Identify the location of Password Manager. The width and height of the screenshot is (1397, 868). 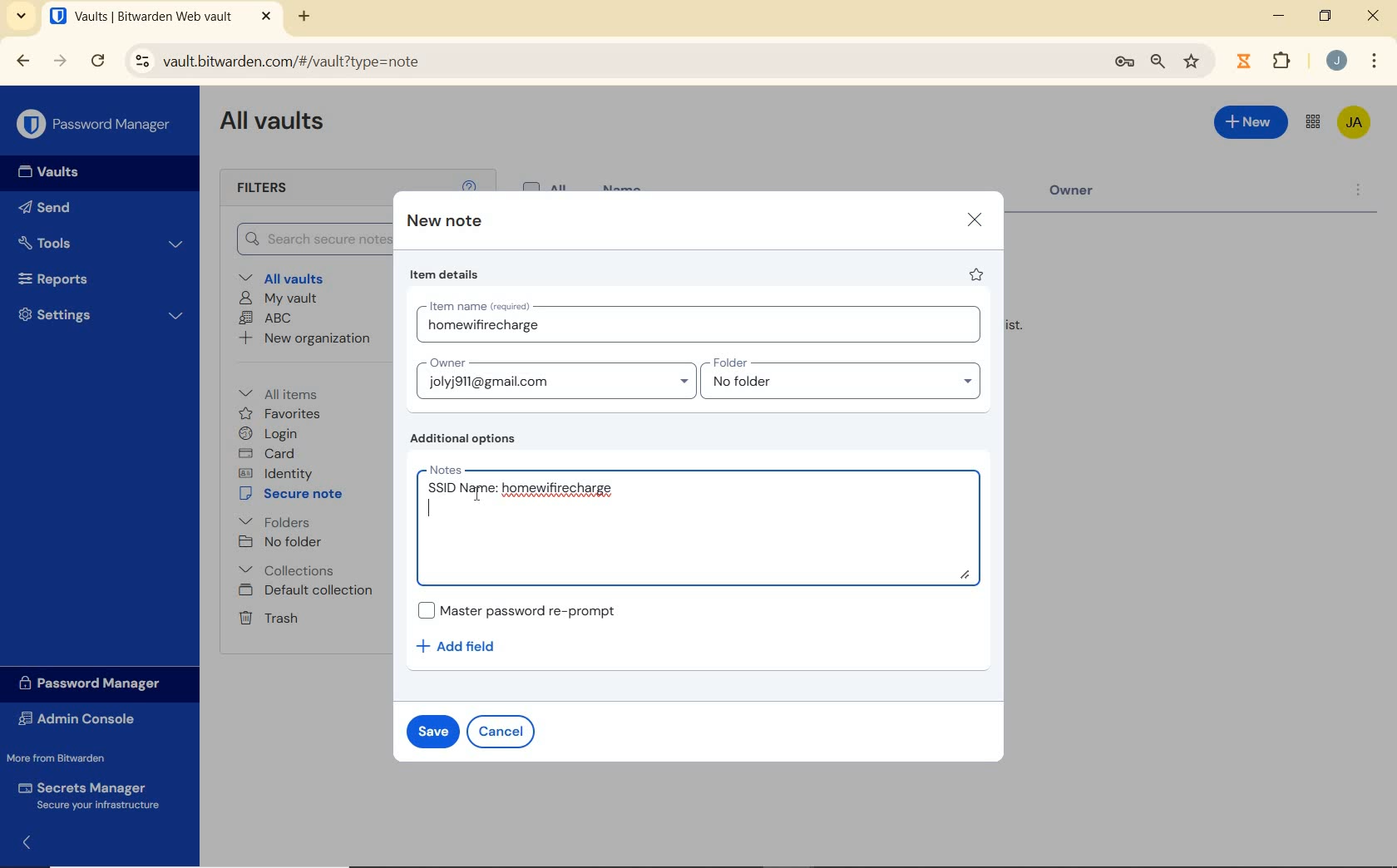
(97, 684).